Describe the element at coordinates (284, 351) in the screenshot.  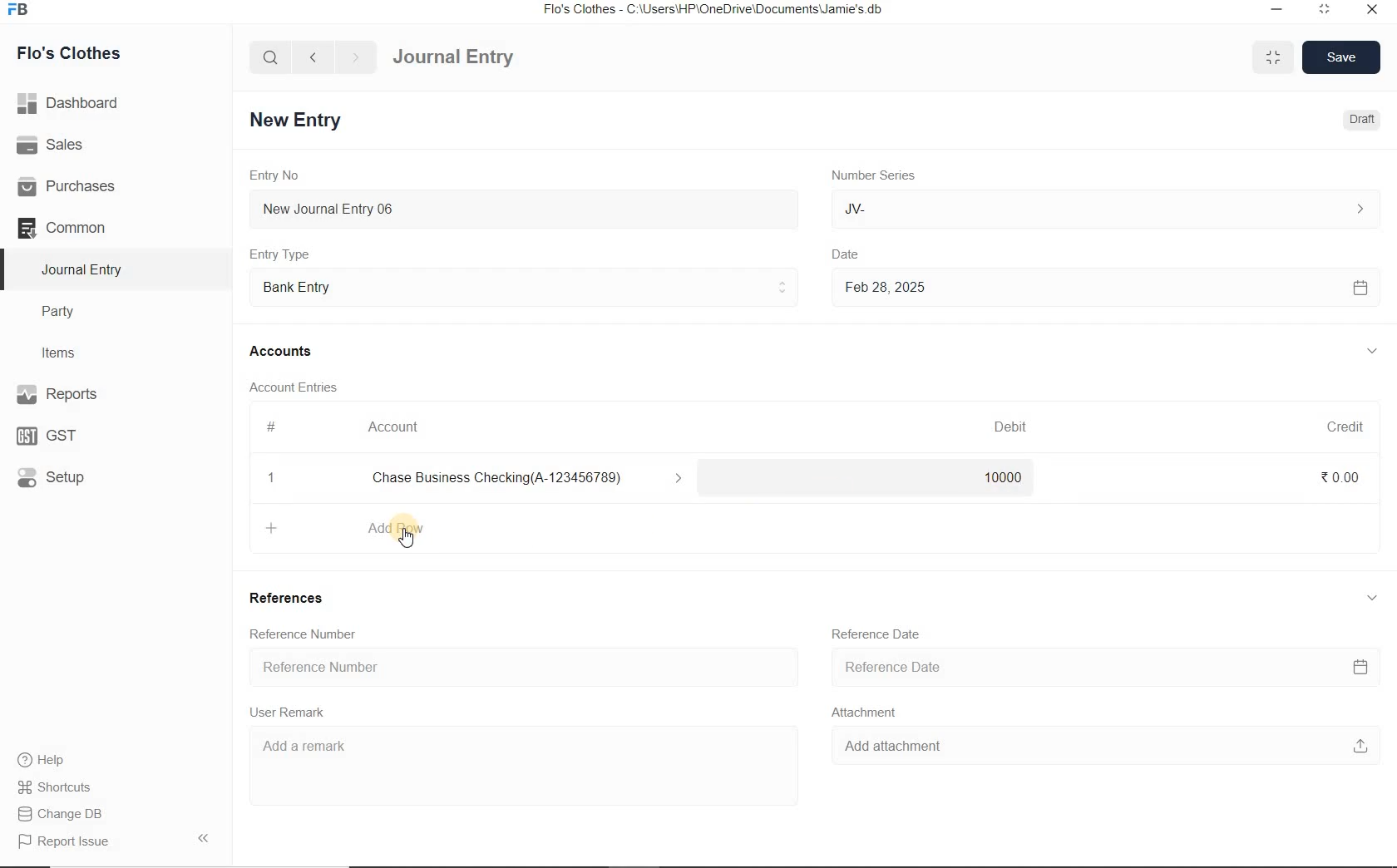
I see `Accounts` at that location.